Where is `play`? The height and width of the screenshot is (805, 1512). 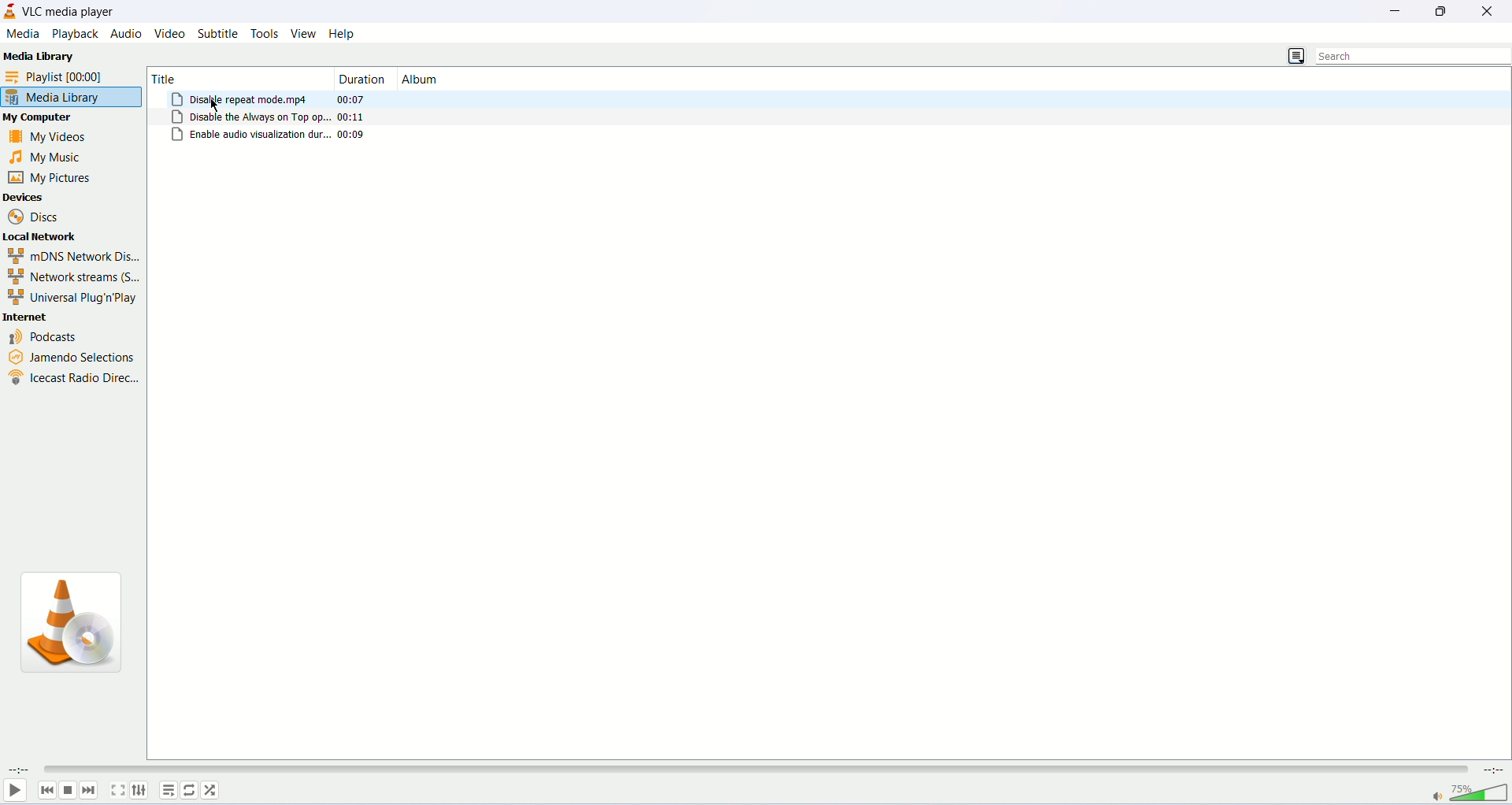
play is located at coordinates (13, 791).